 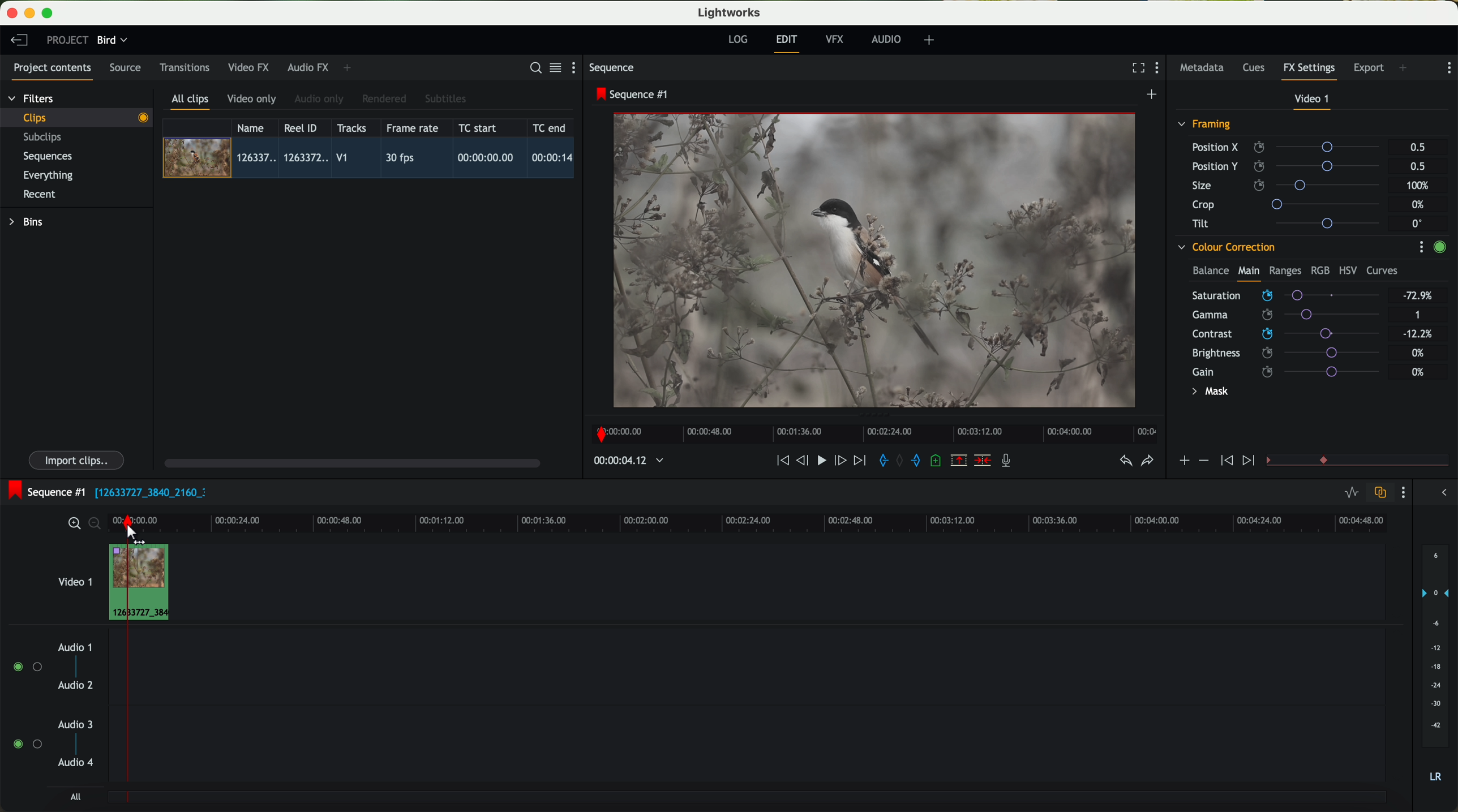 I want to click on bird, so click(x=112, y=41).